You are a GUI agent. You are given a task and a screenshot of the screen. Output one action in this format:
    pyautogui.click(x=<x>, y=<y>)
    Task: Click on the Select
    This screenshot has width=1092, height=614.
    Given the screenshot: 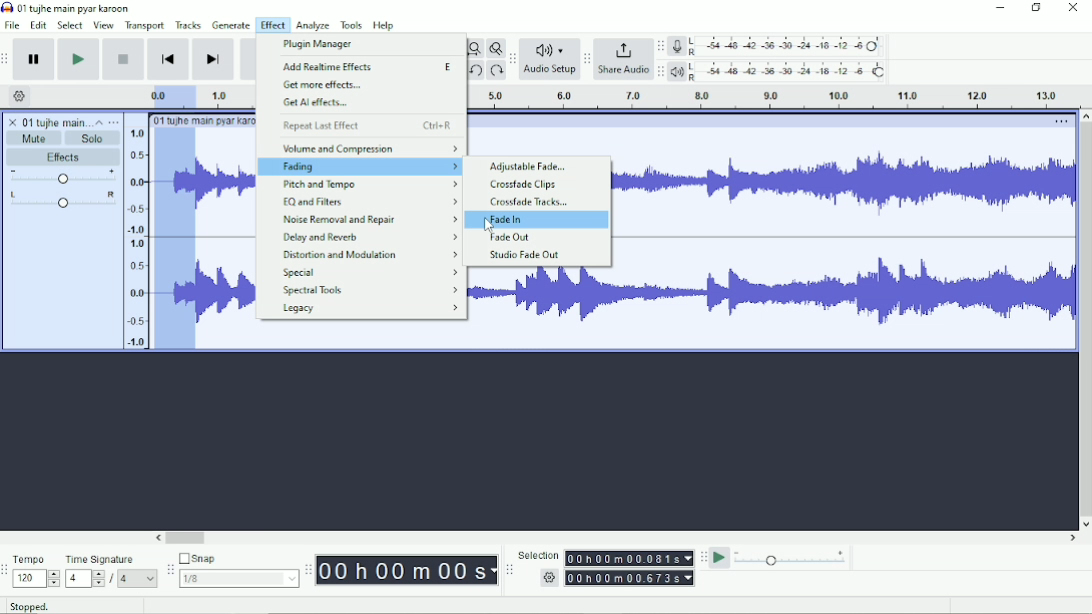 What is the action you would take?
    pyautogui.click(x=70, y=25)
    